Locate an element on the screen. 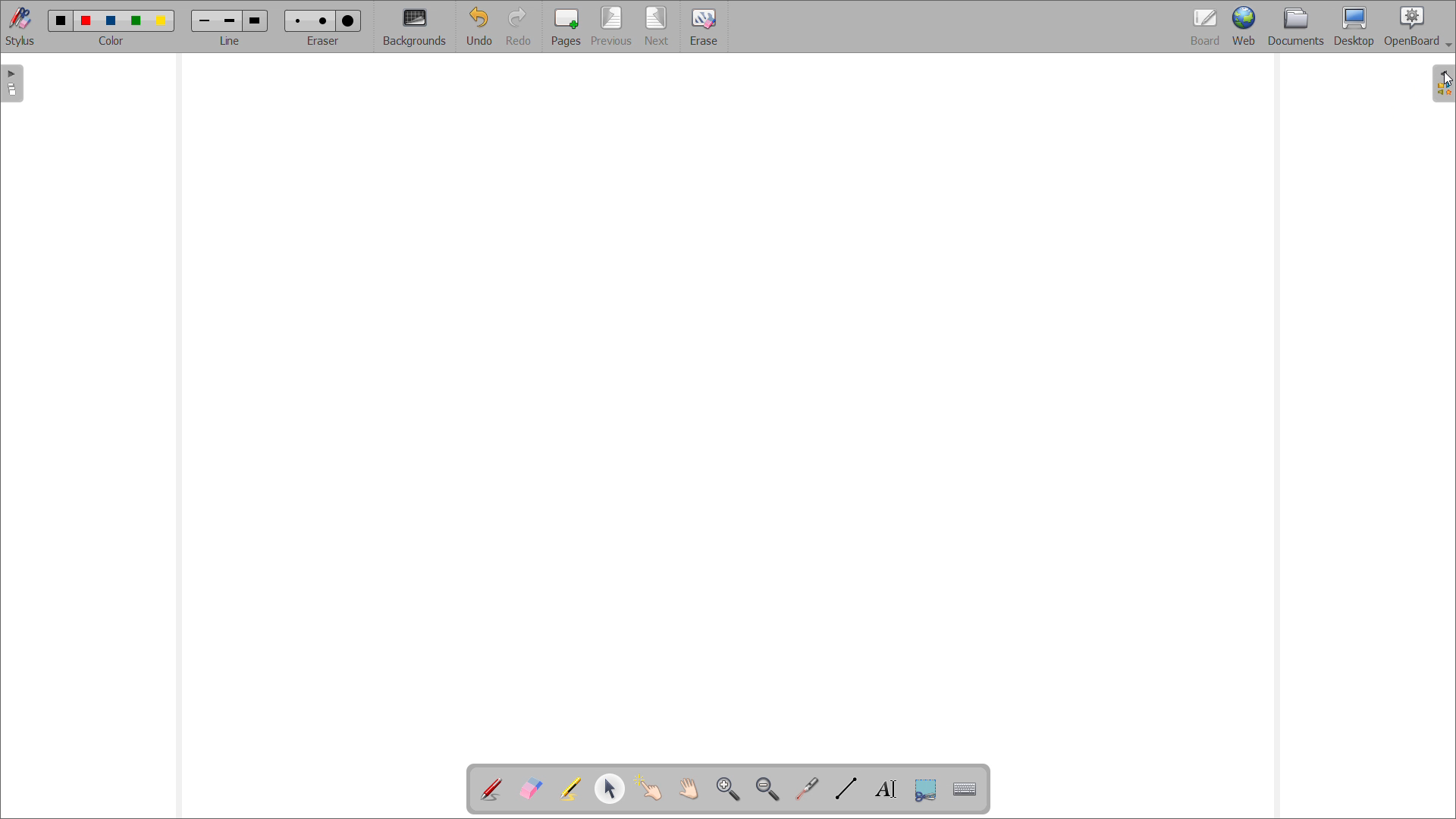  zoom out is located at coordinates (768, 789).